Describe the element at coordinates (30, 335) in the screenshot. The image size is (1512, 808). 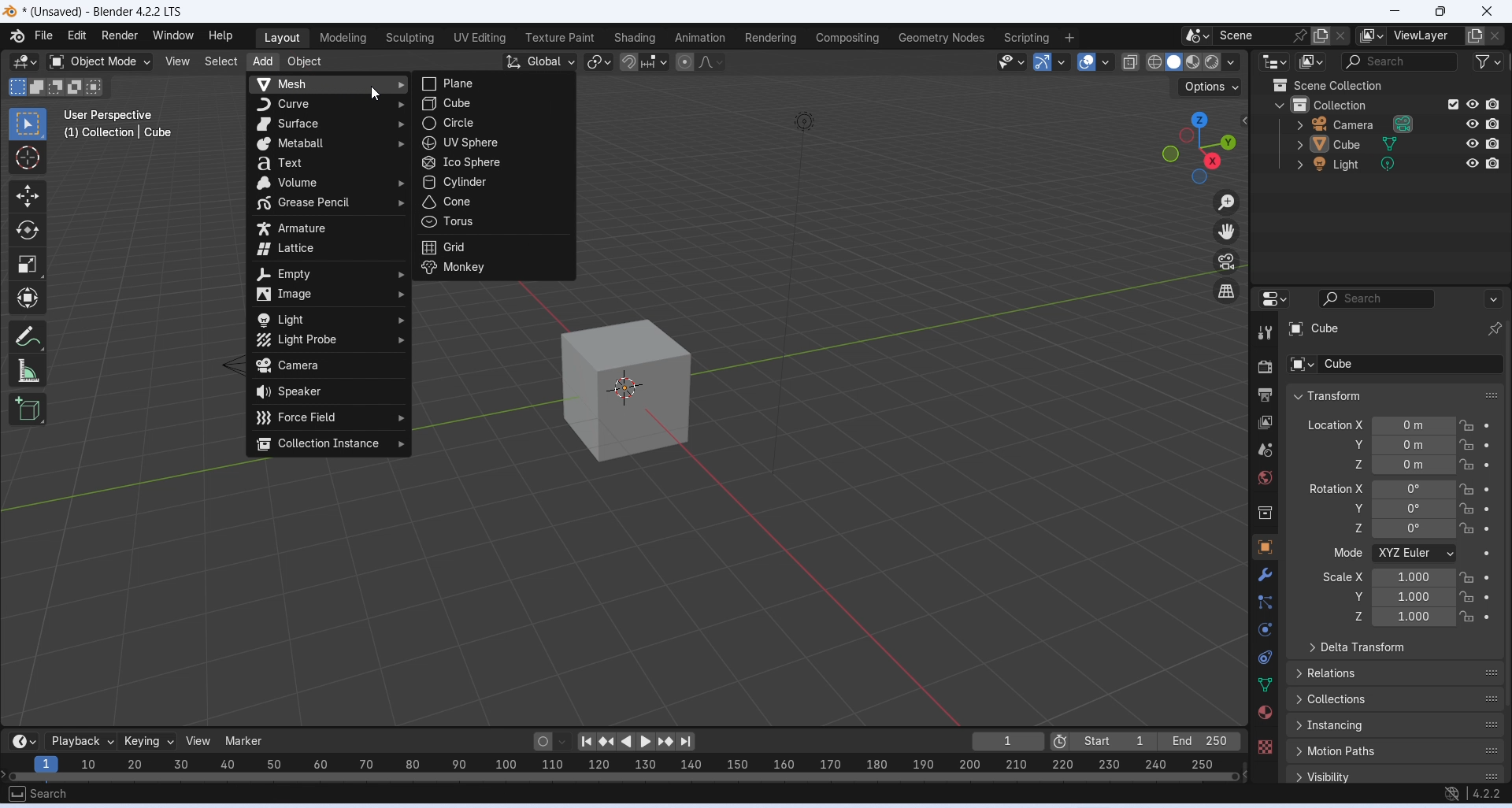
I see `Annotate` at that location.